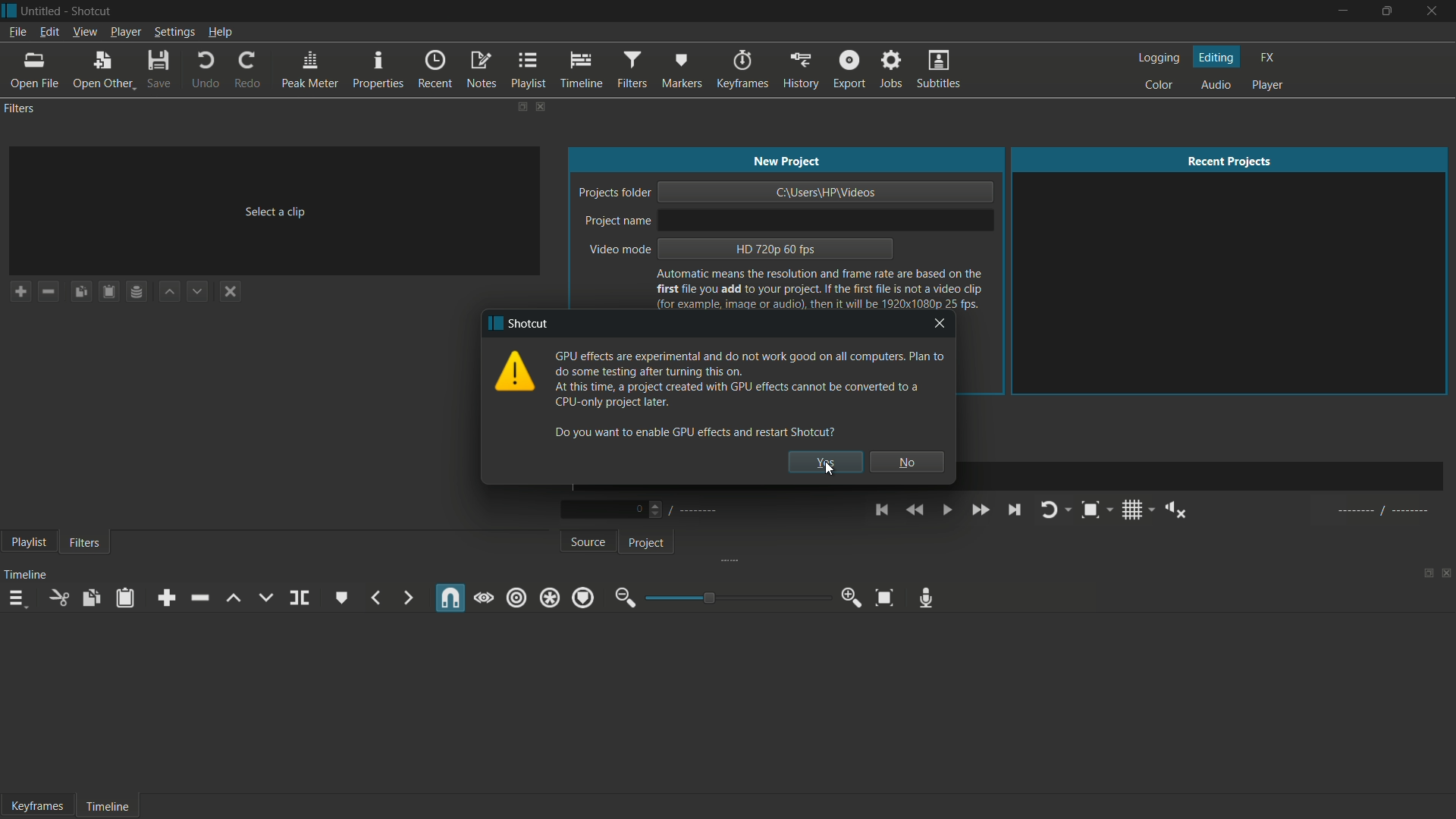 This screenshot has height=819, width=1456. Describe the element at coordinates (980, 510) in the screenshot. I see `quickly play forward` at that location.